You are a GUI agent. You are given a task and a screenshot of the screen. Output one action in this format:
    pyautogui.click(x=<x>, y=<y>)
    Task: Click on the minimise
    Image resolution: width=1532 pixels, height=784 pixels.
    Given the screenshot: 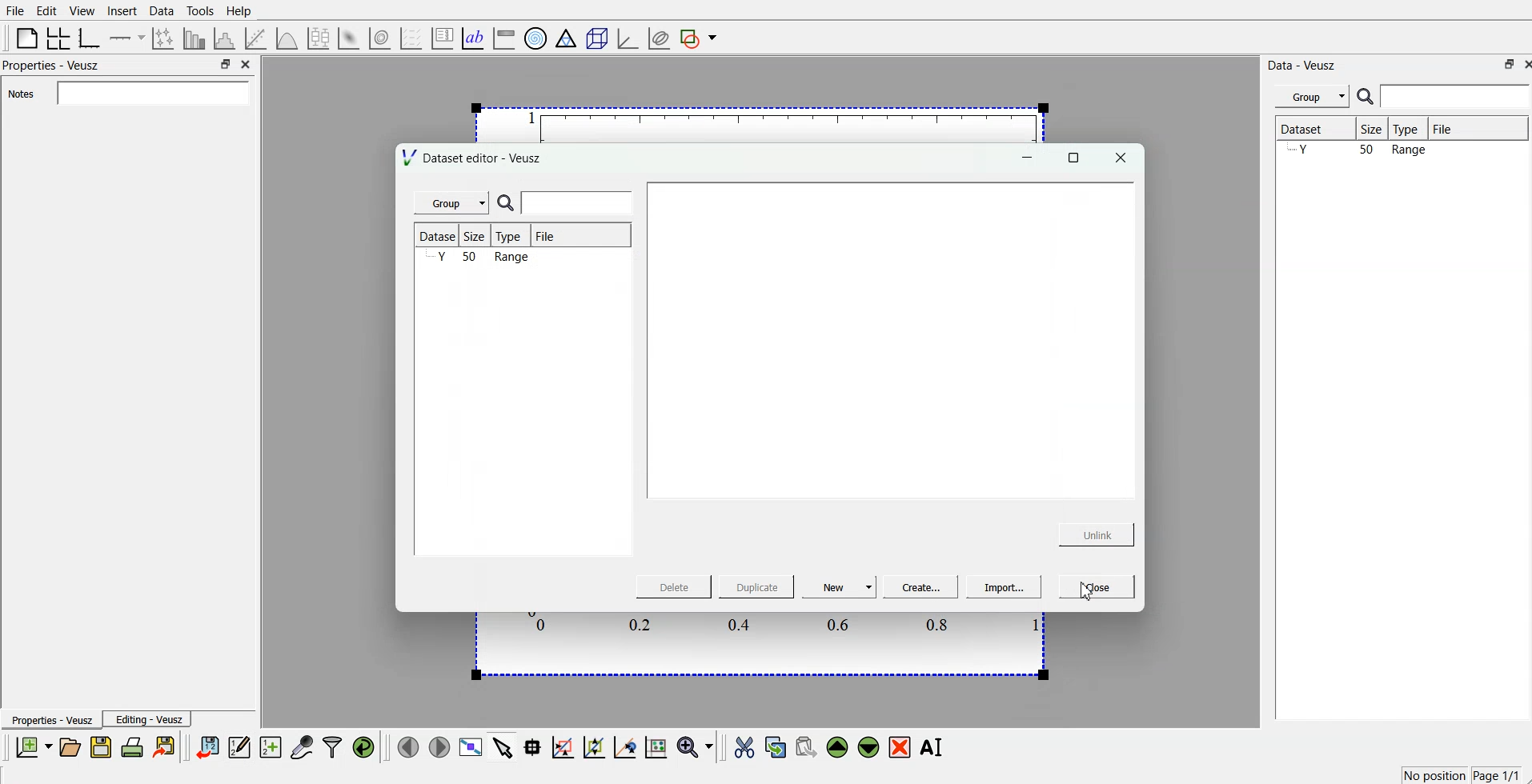 What is the action you would take?
    pyautogui.click(x=1504, y=64)
    